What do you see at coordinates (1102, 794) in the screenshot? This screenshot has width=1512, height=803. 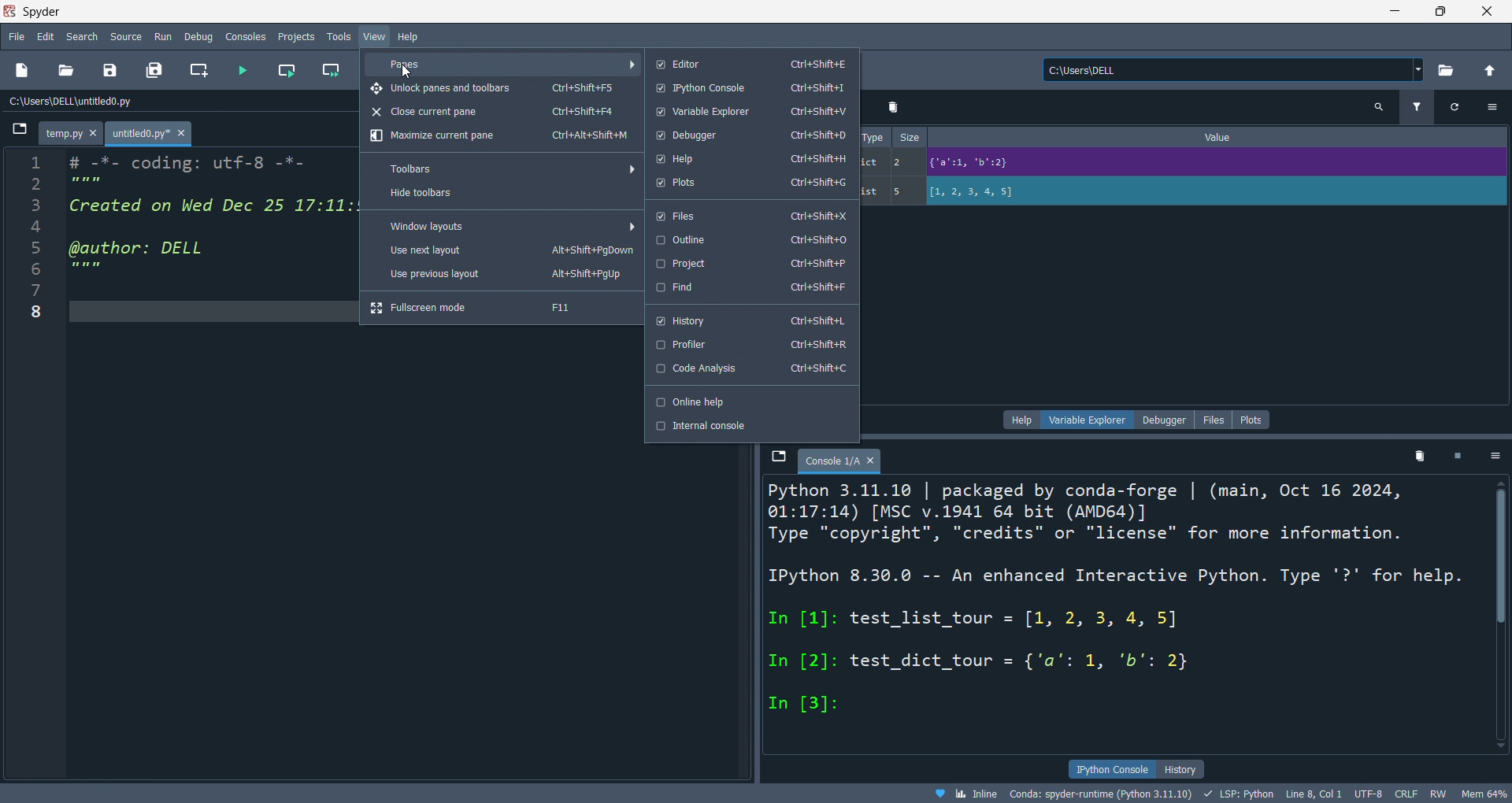 I see `interpreter` at bounding box center [1102, 794].